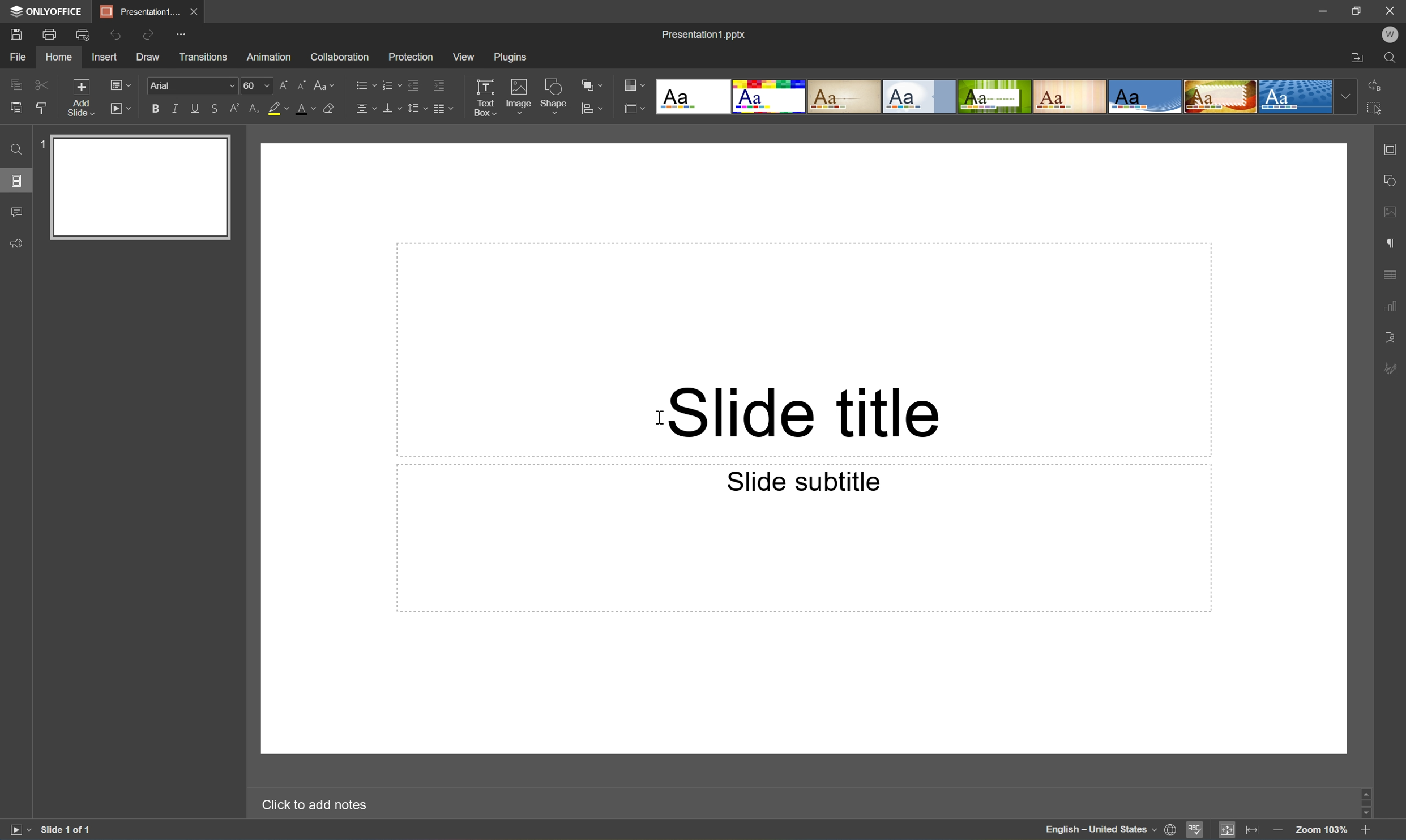  What do you see at coordinates (1277, 833) in the screenshot?
I see `Zoom out` at bounding box center [1277, 833].